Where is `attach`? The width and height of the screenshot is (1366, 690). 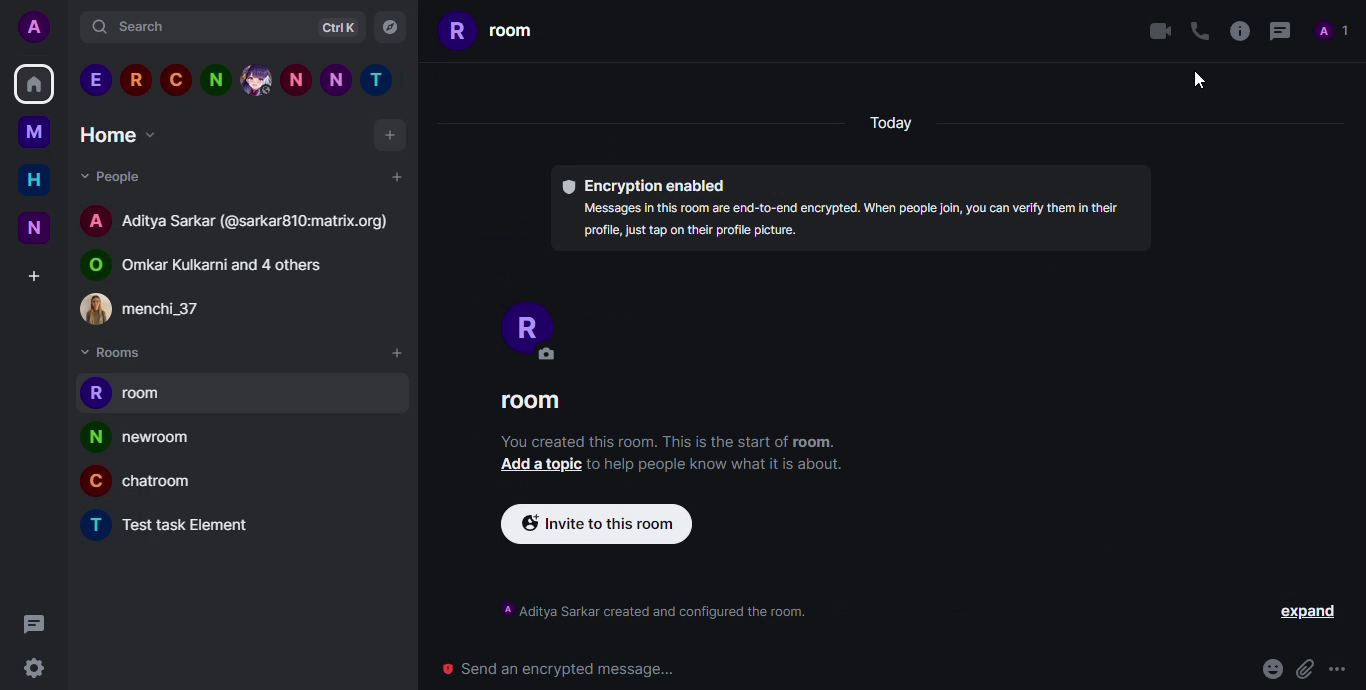 attach is located at coordinates (1304, 669).